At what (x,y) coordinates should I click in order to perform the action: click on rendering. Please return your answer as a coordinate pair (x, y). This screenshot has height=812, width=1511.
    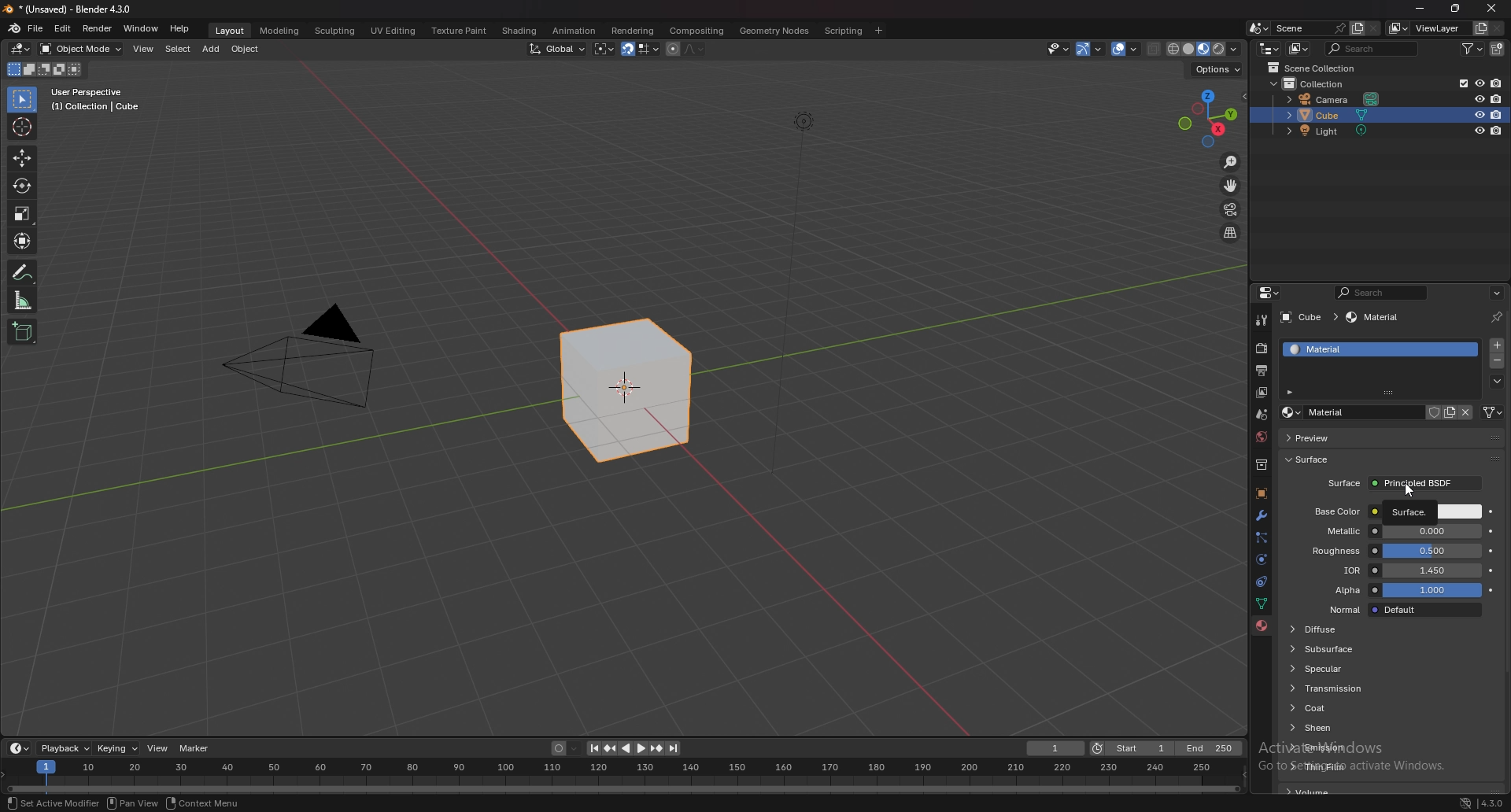
    Looking at the image, I should click on (631, 30).